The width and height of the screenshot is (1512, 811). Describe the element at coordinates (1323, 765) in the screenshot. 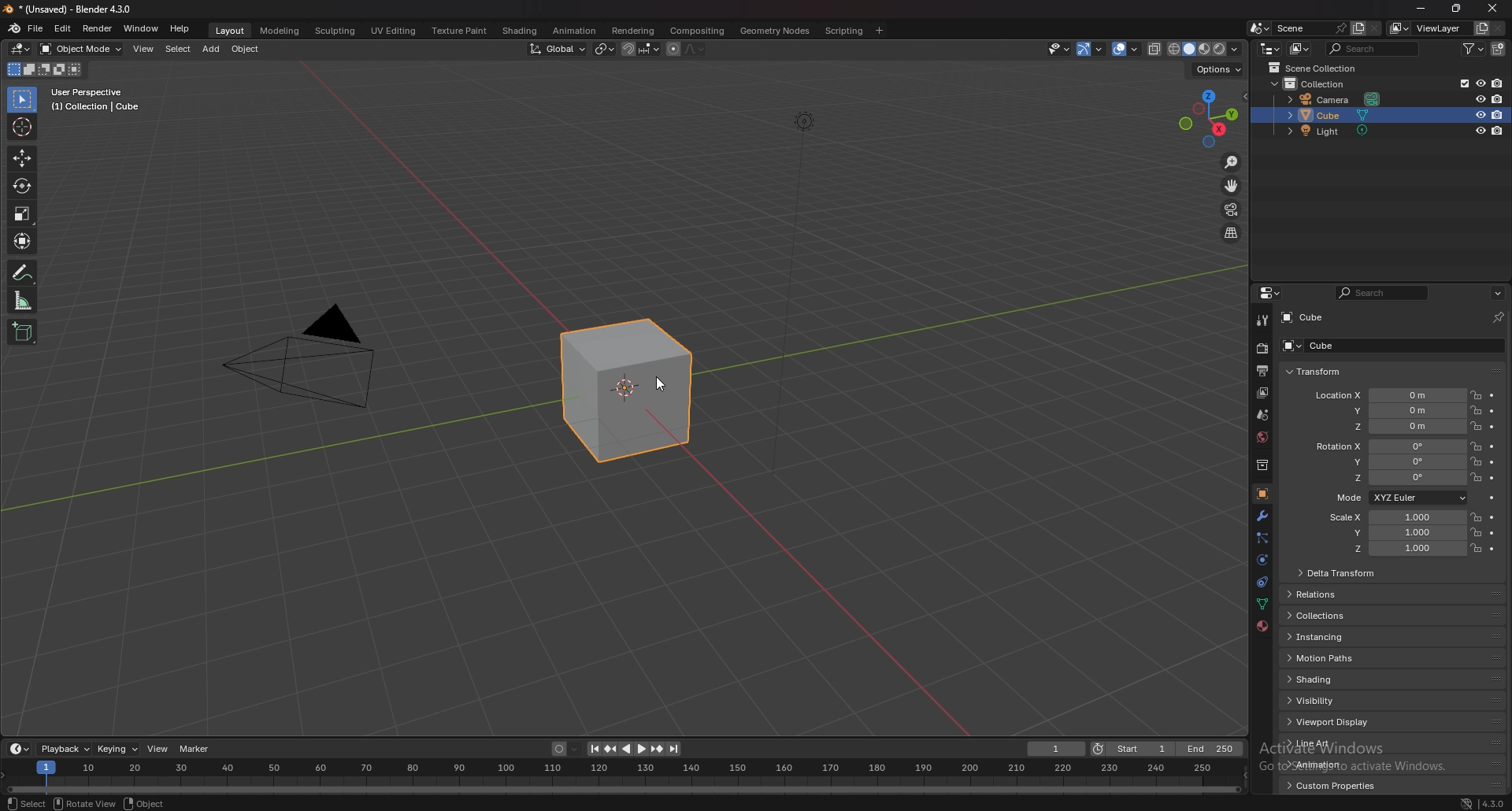

I see `animation` at that location.